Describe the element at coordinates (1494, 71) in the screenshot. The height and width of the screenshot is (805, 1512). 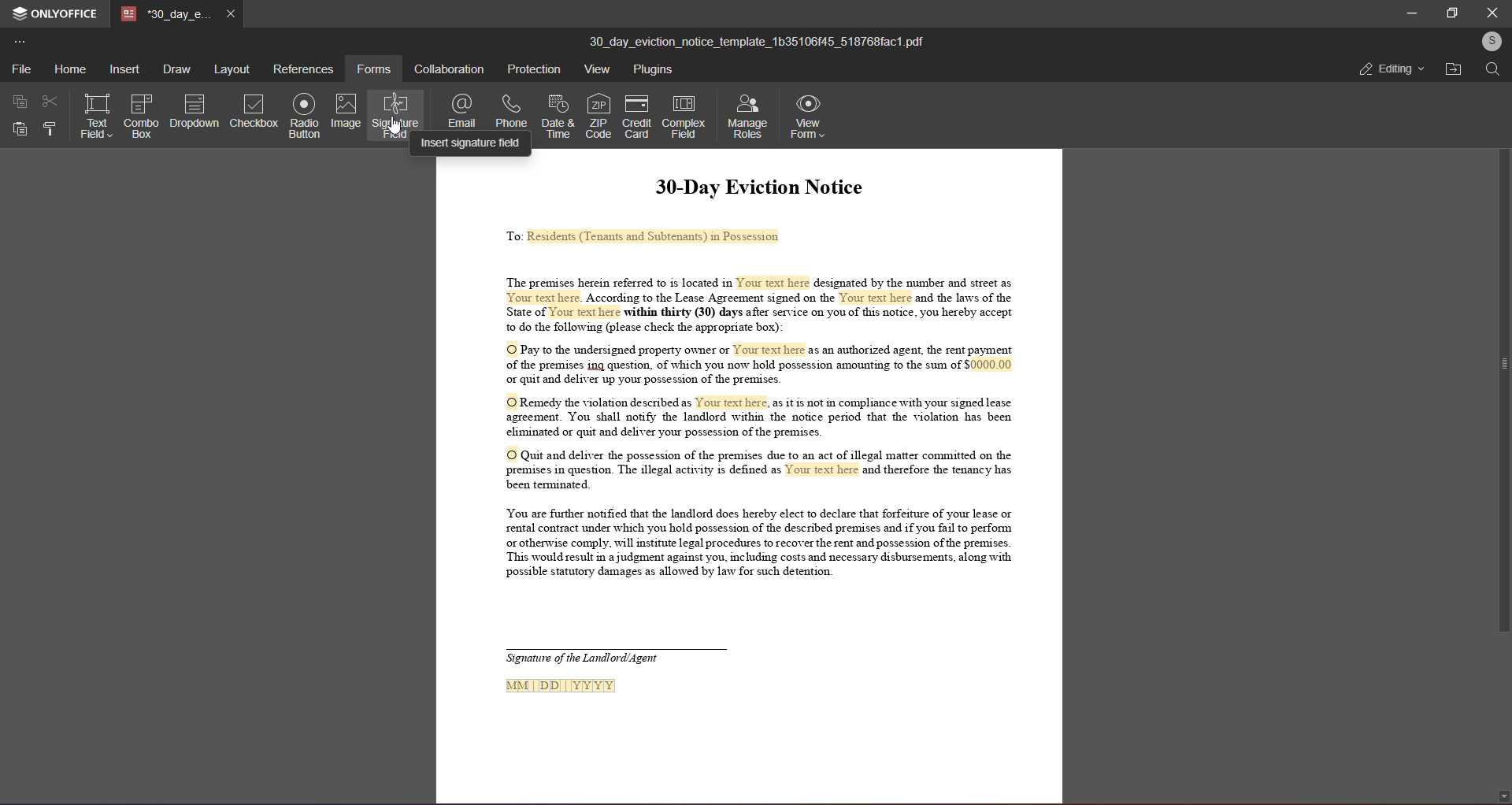
I see `search` at that location.